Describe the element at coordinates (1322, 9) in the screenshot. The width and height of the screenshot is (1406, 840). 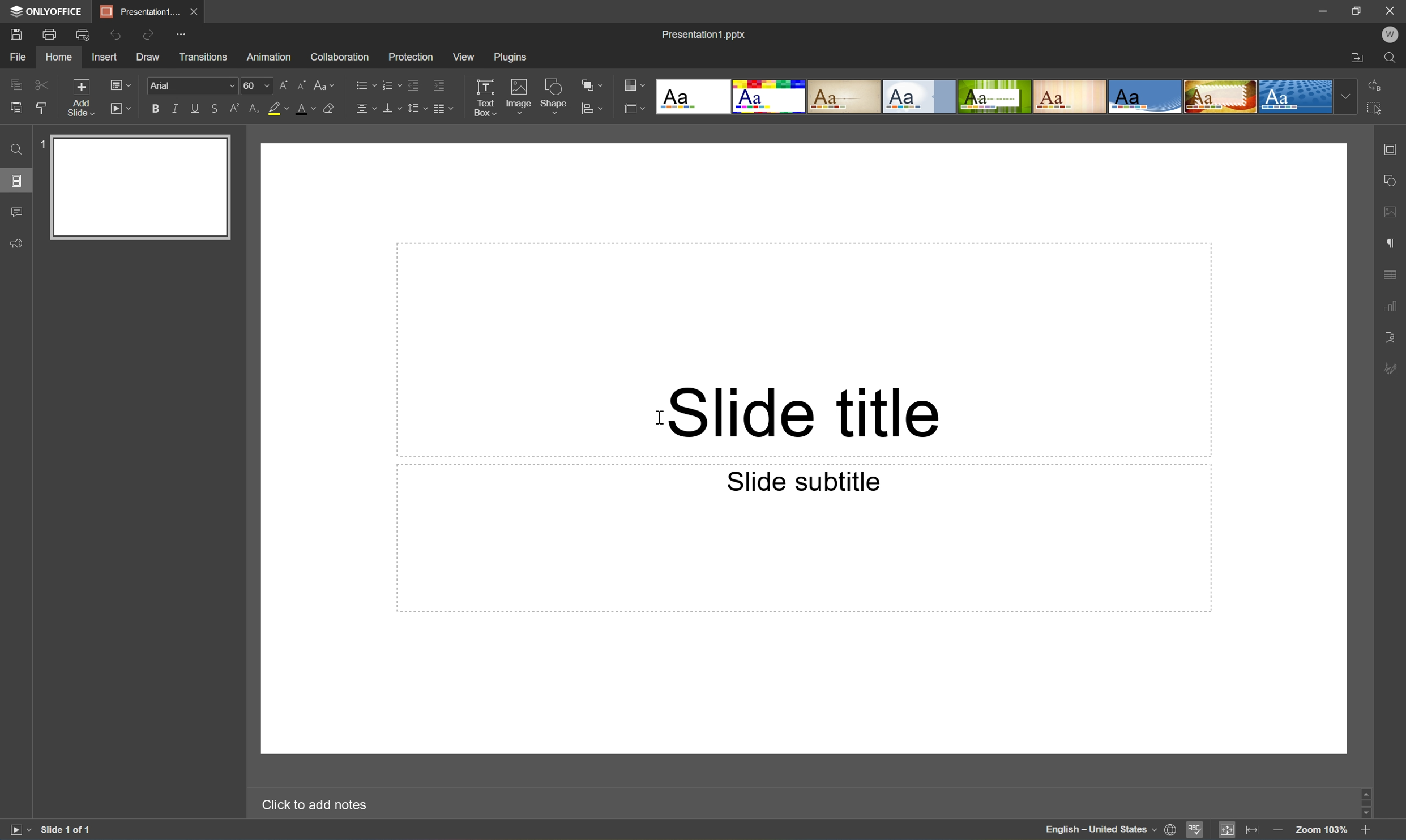
I see `Minimize` at that location.